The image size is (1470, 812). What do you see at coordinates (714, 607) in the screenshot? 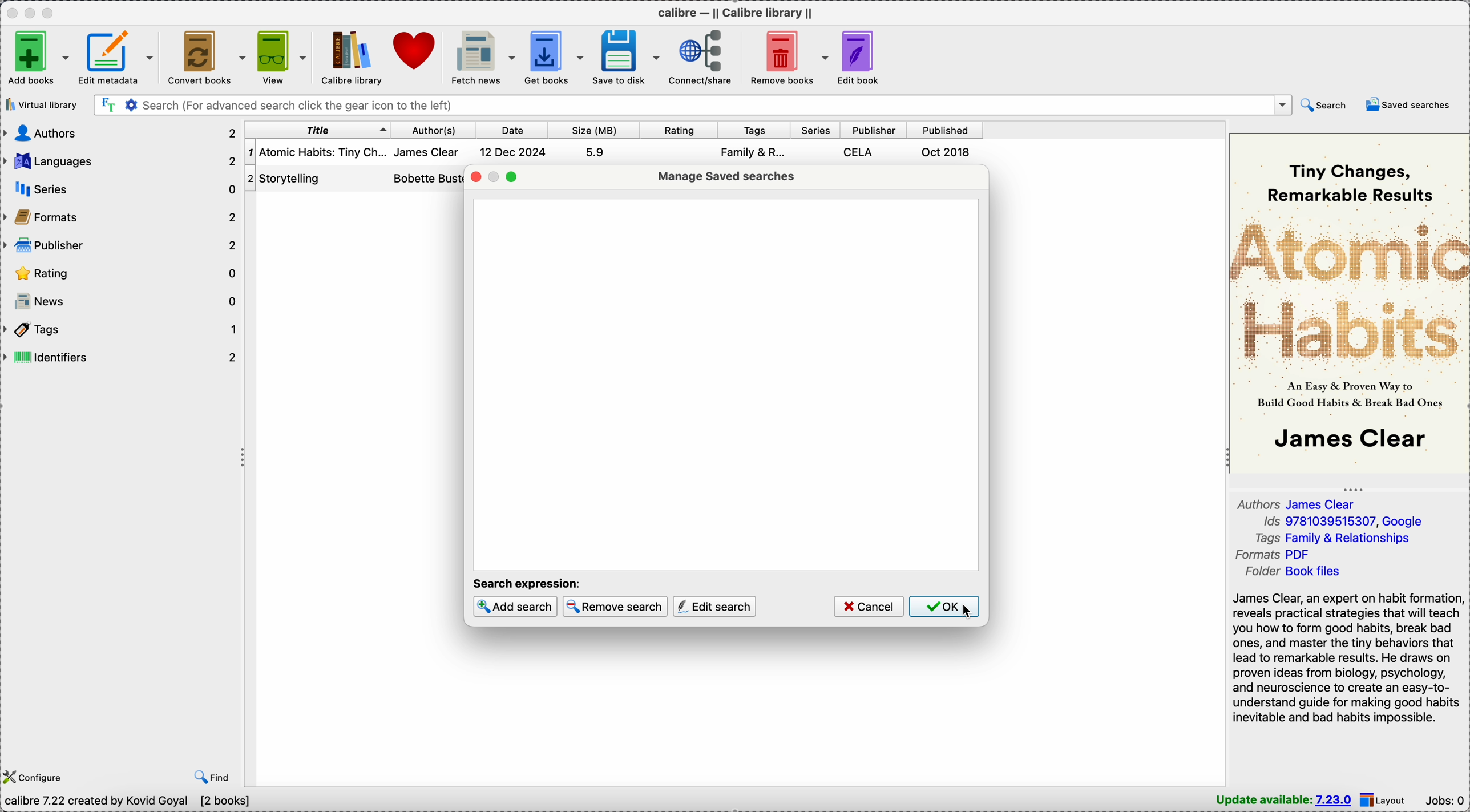
I see `edit search` at bounding box center [714, 607].